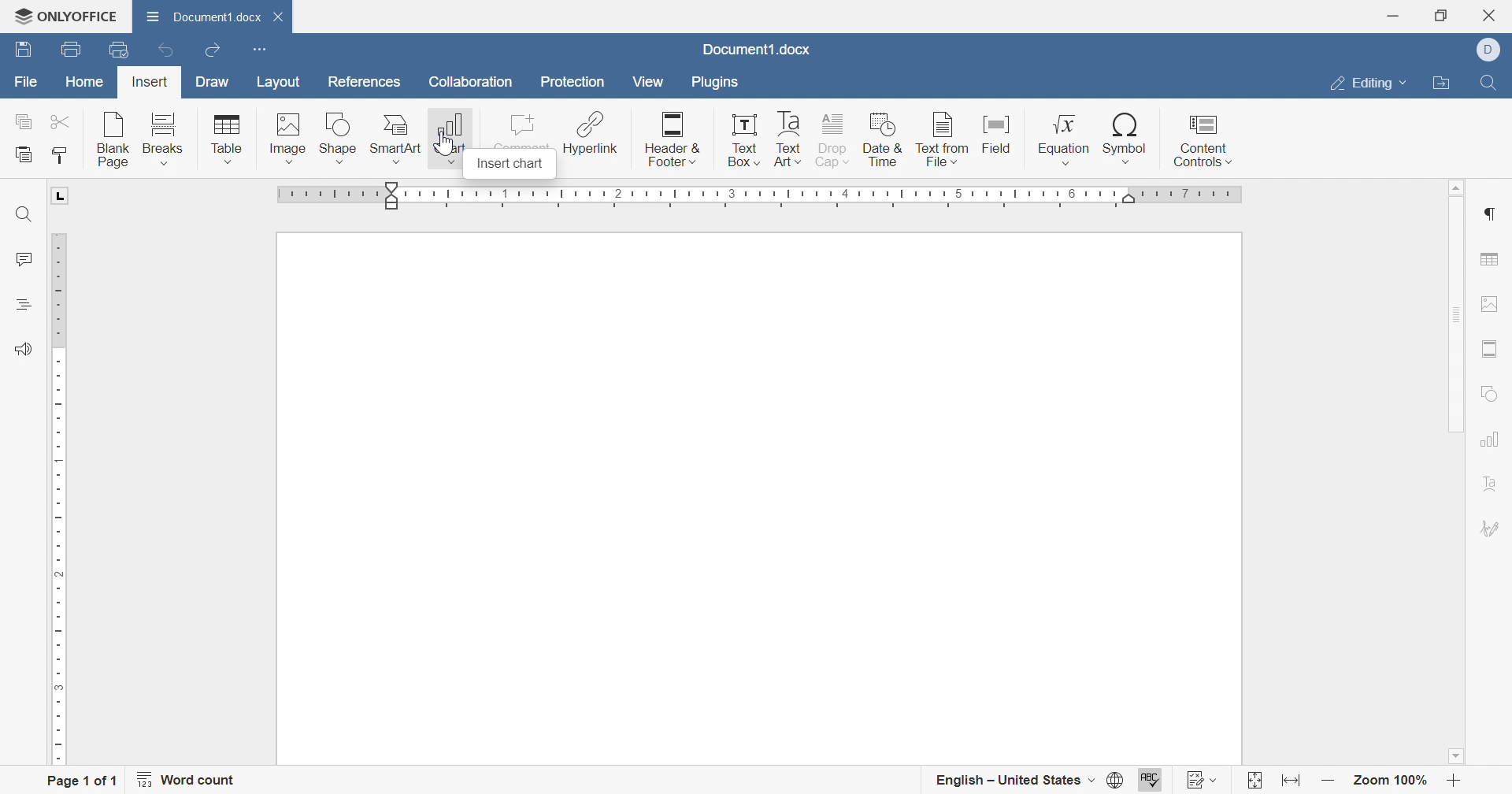 The width and height of the screenshot is (1512, 794). I want to click on Drop Cap, so click(832, 139).